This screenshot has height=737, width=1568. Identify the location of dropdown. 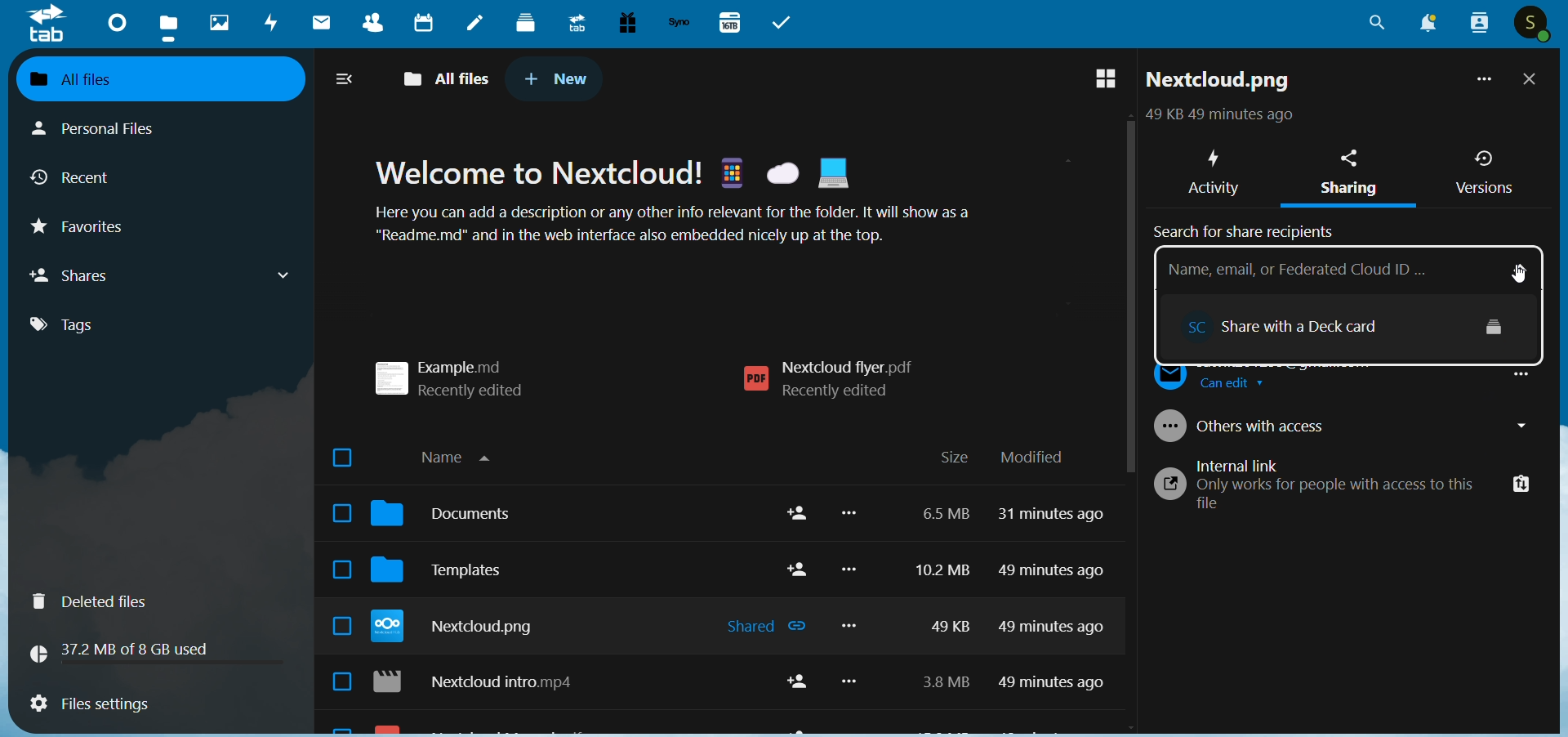
(1523, 265).